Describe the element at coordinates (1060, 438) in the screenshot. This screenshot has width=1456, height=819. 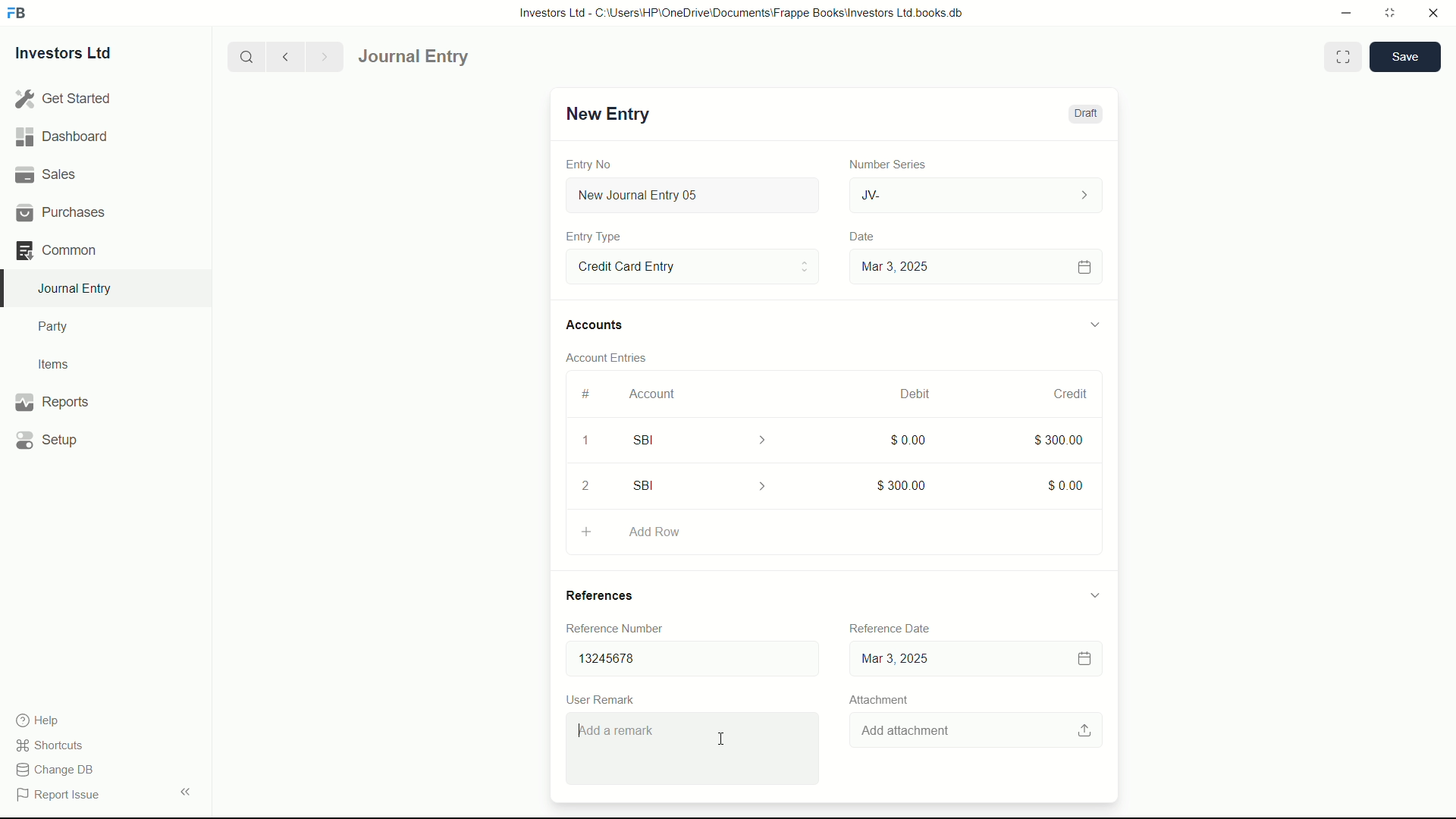
I see `$300.00` at that location.